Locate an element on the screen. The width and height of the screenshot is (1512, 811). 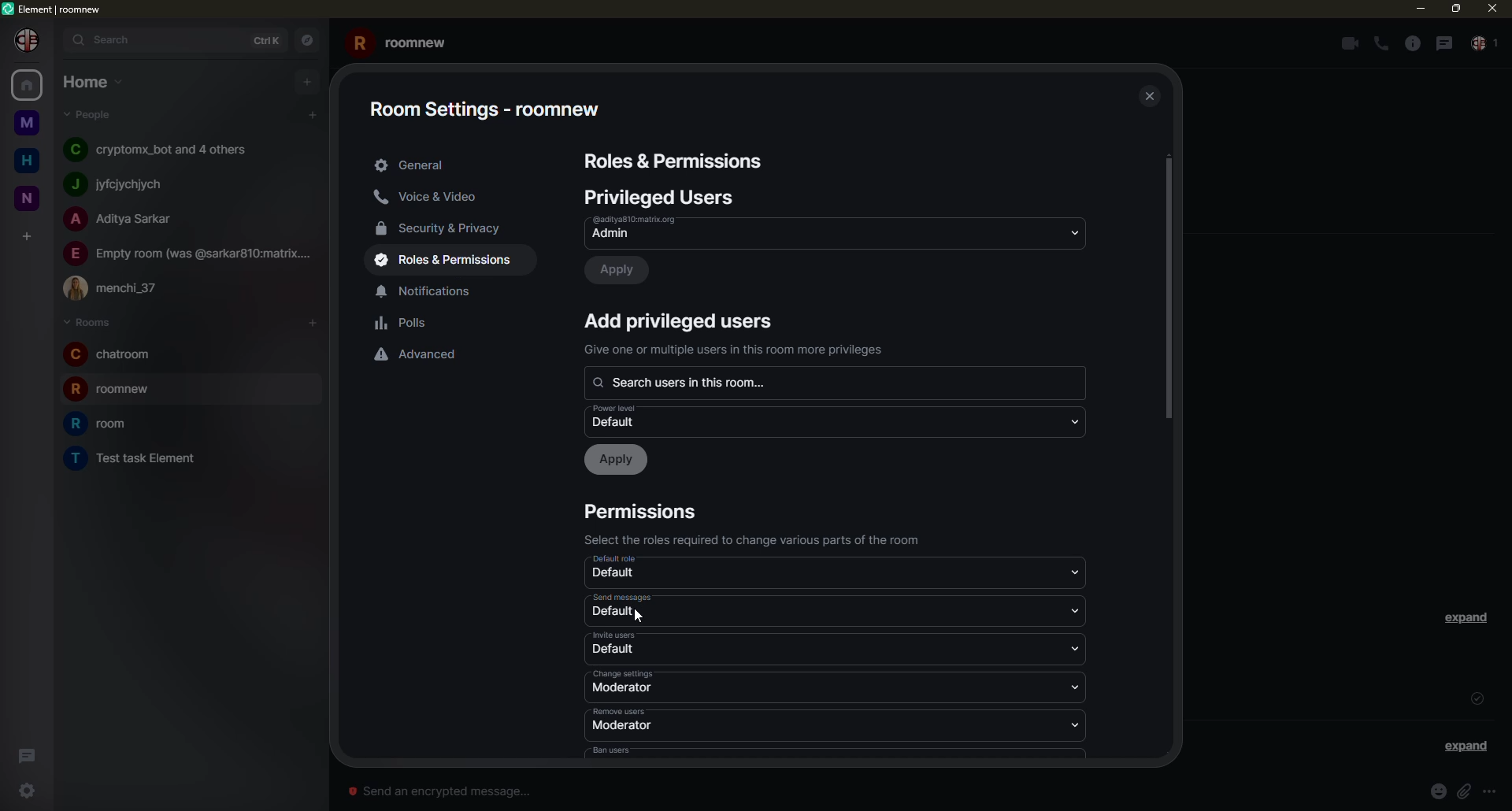
search is located at coordinates (691, 382).